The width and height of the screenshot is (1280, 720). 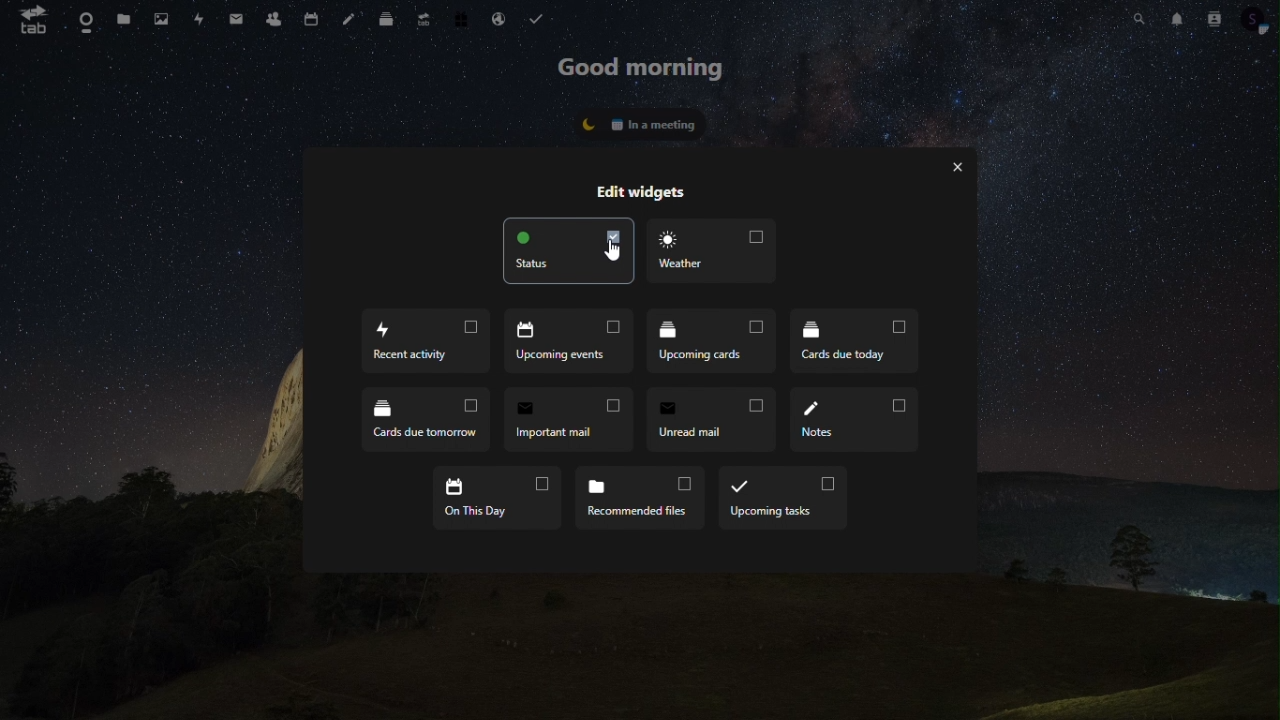 I want to click on dashboard, so click(x=84, y=20).